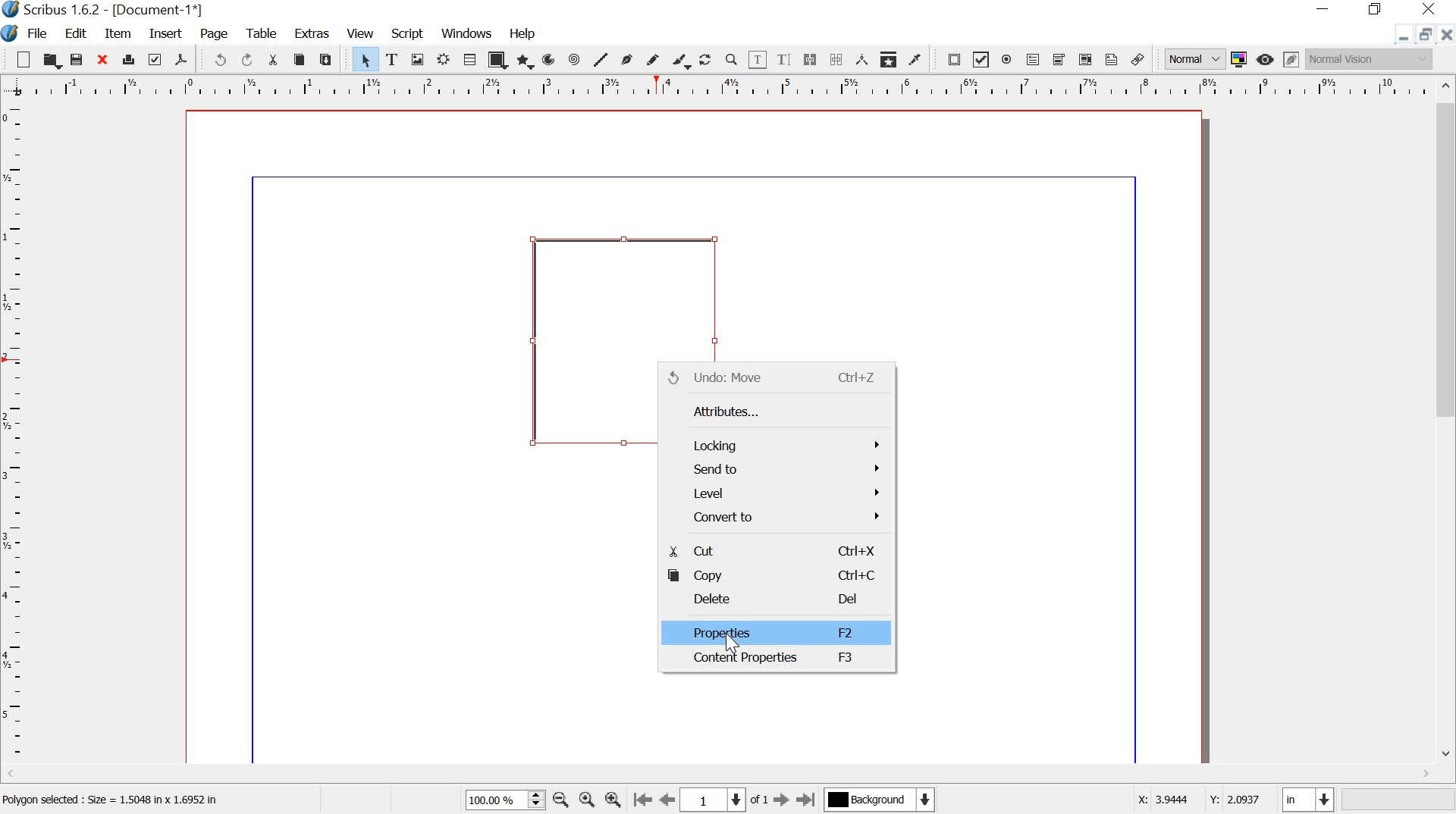  I want to click on pdf text field, so click(1034, 59).